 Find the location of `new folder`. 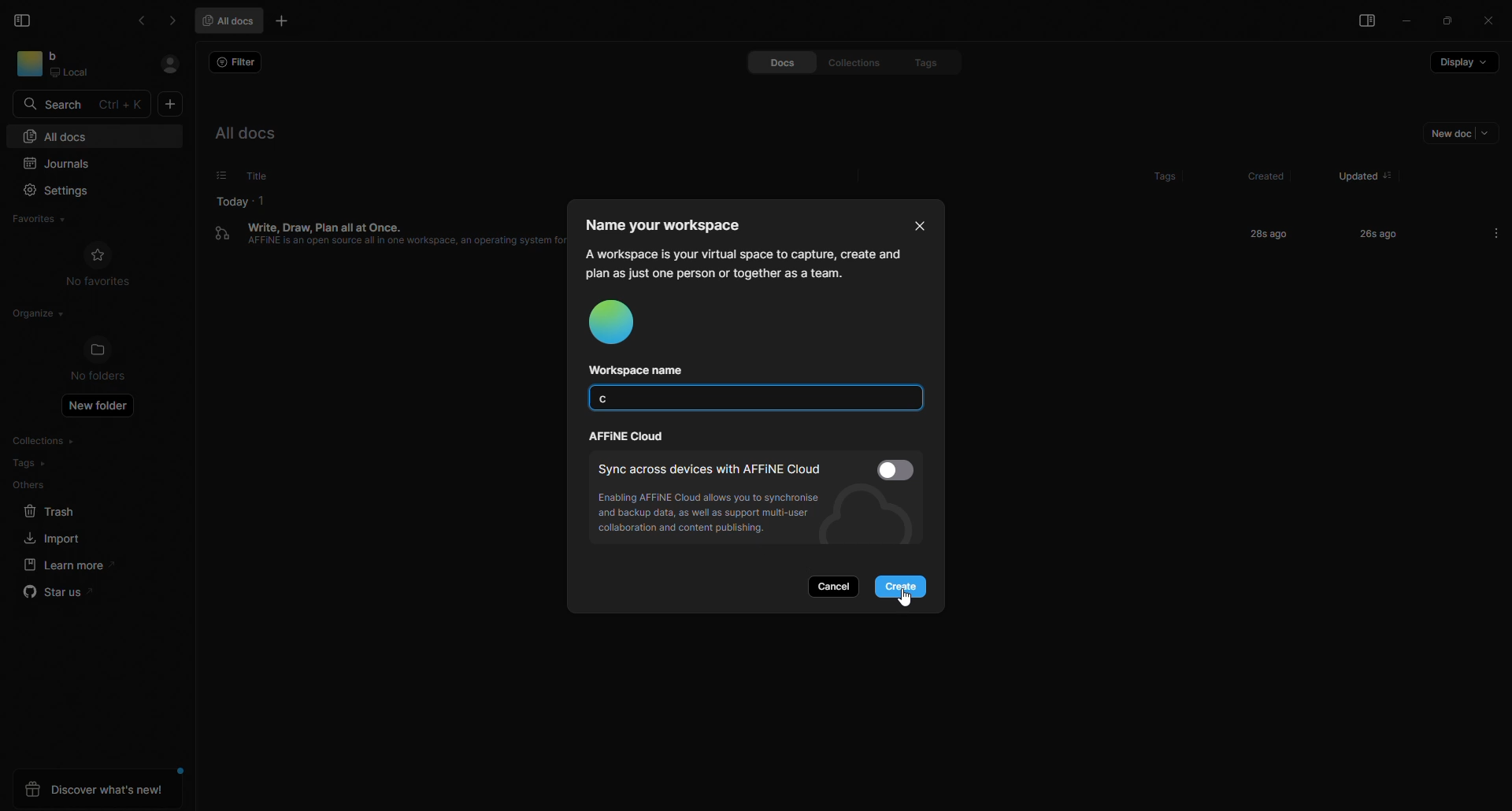

new folder is located at coordinates (102, 409).